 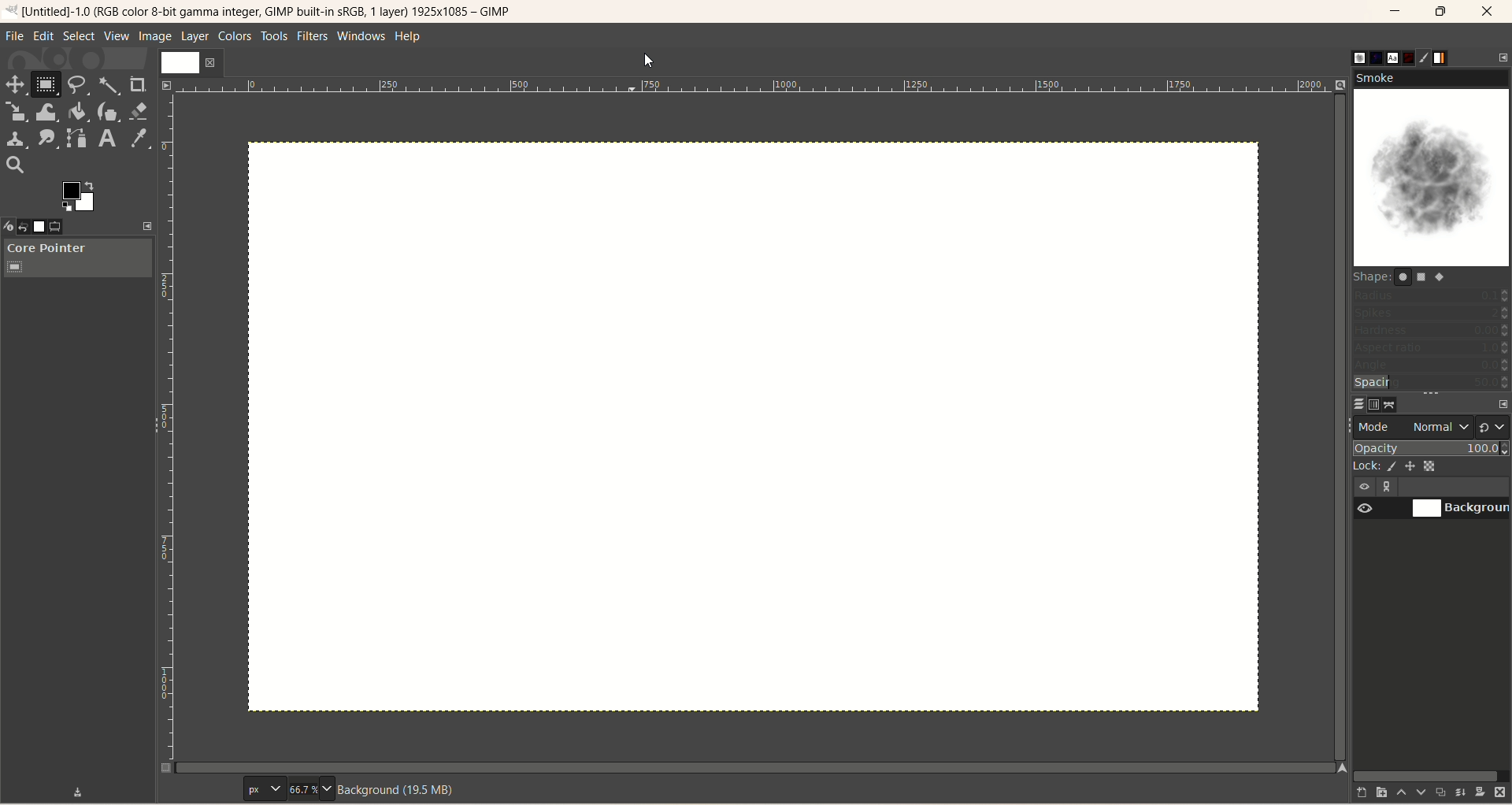 I want to click on cursor, so click(x=648, y=61).